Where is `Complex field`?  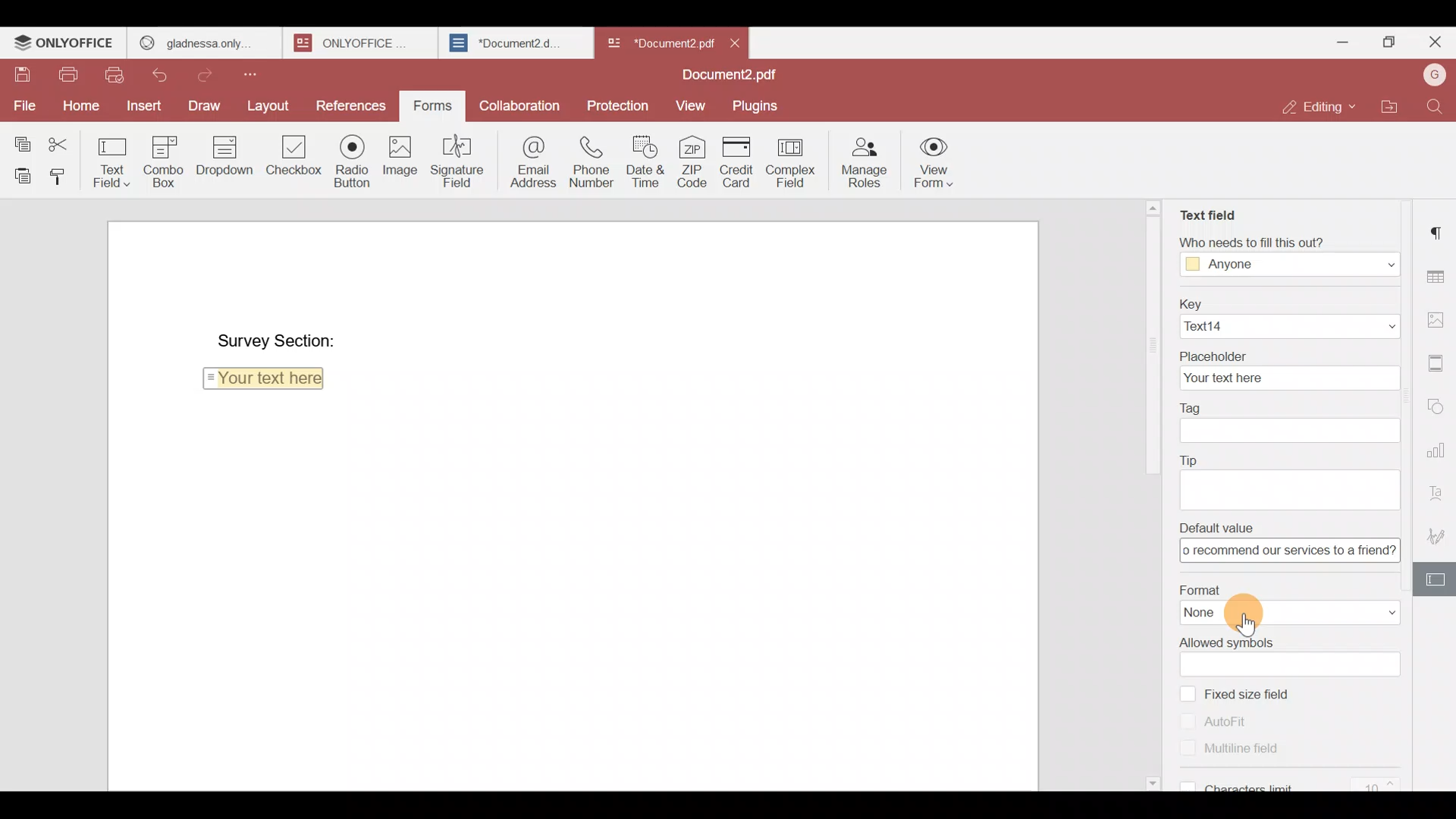
Complex field is located at coordinates (796, 160).